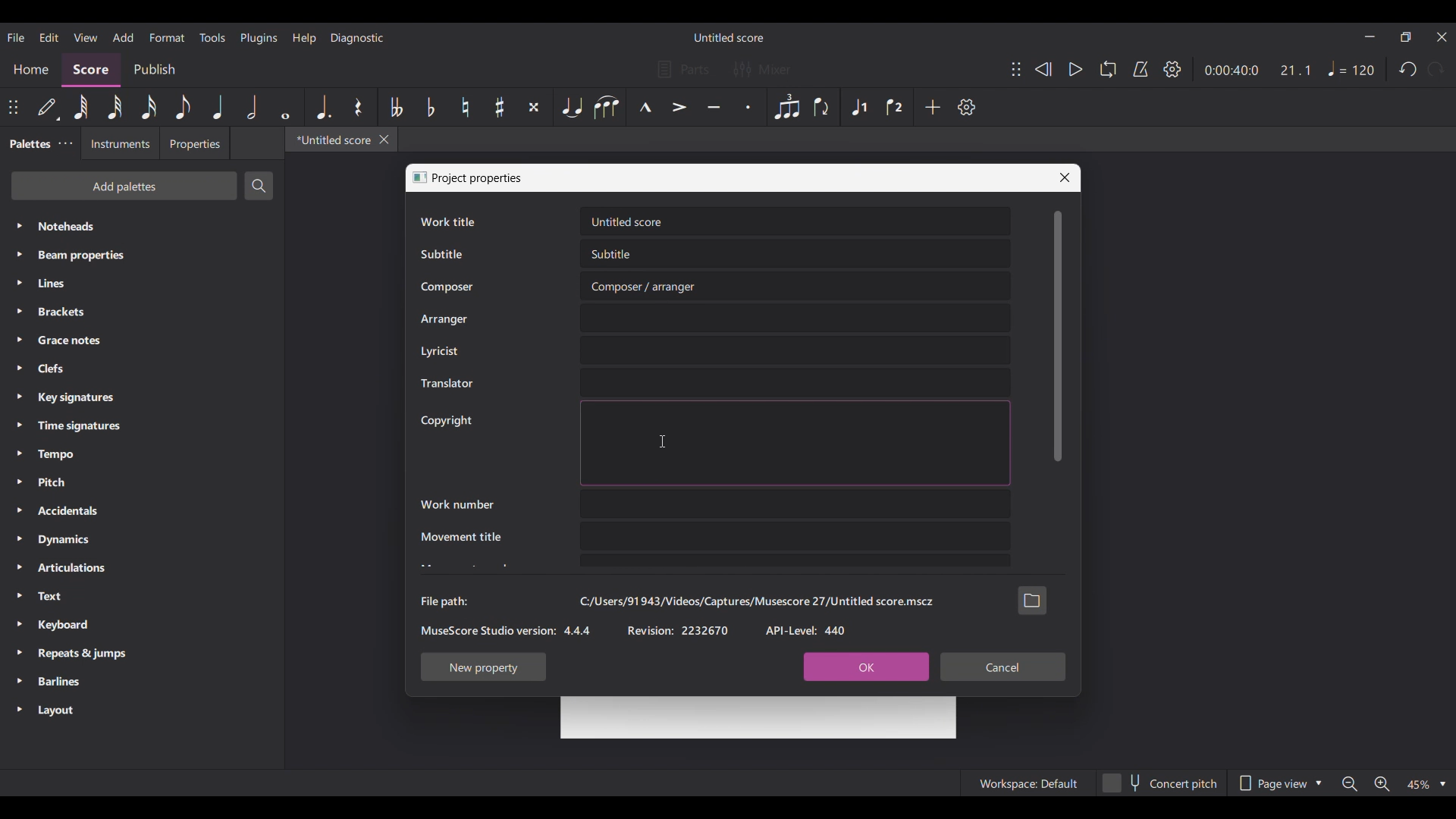  Describe the element at coordinates (795, 504) in the screenshot. I see `Text box for Work number` at that location.